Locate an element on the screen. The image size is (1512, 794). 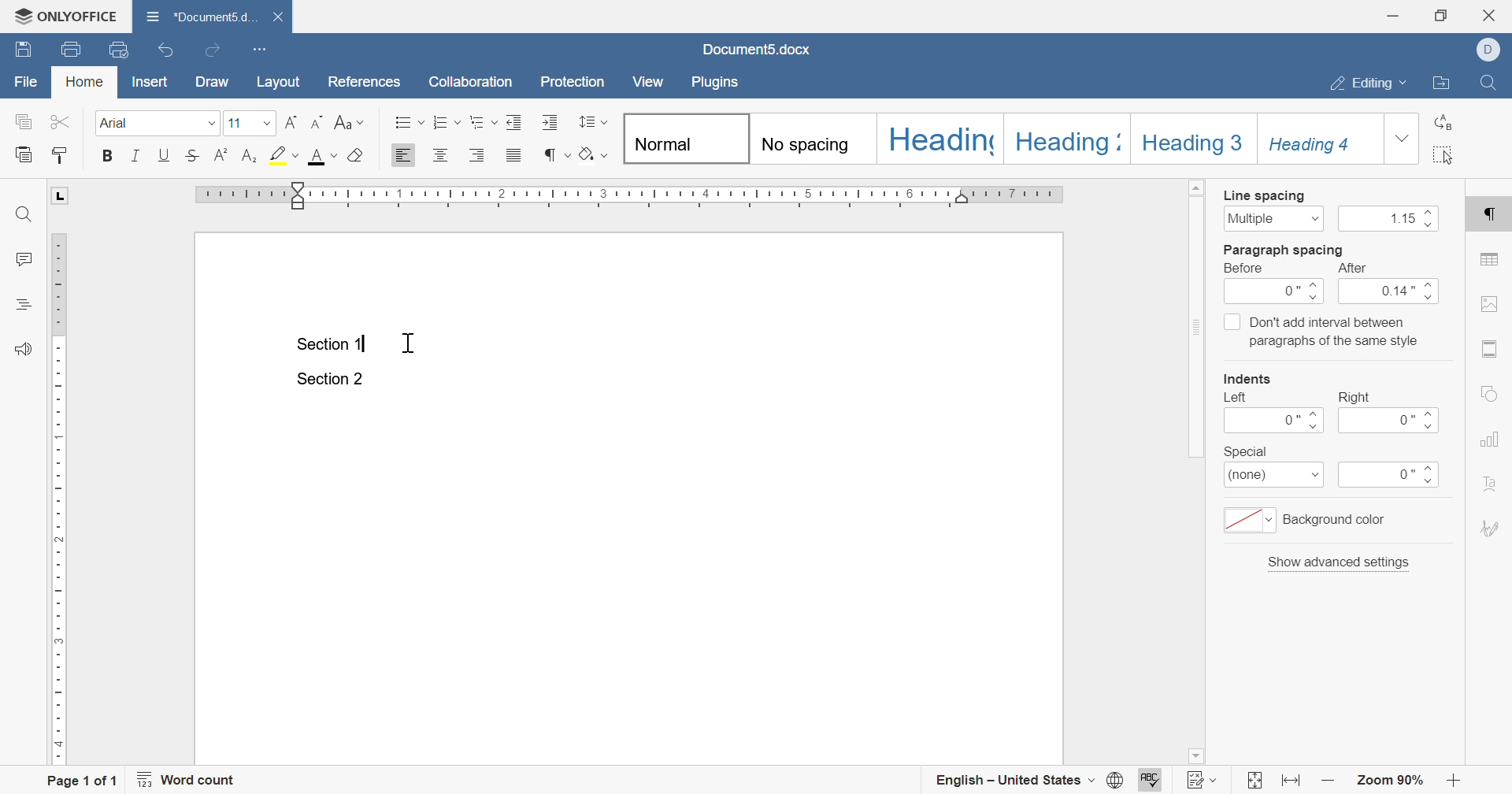
increase indent is located at coordinates (288, 122).